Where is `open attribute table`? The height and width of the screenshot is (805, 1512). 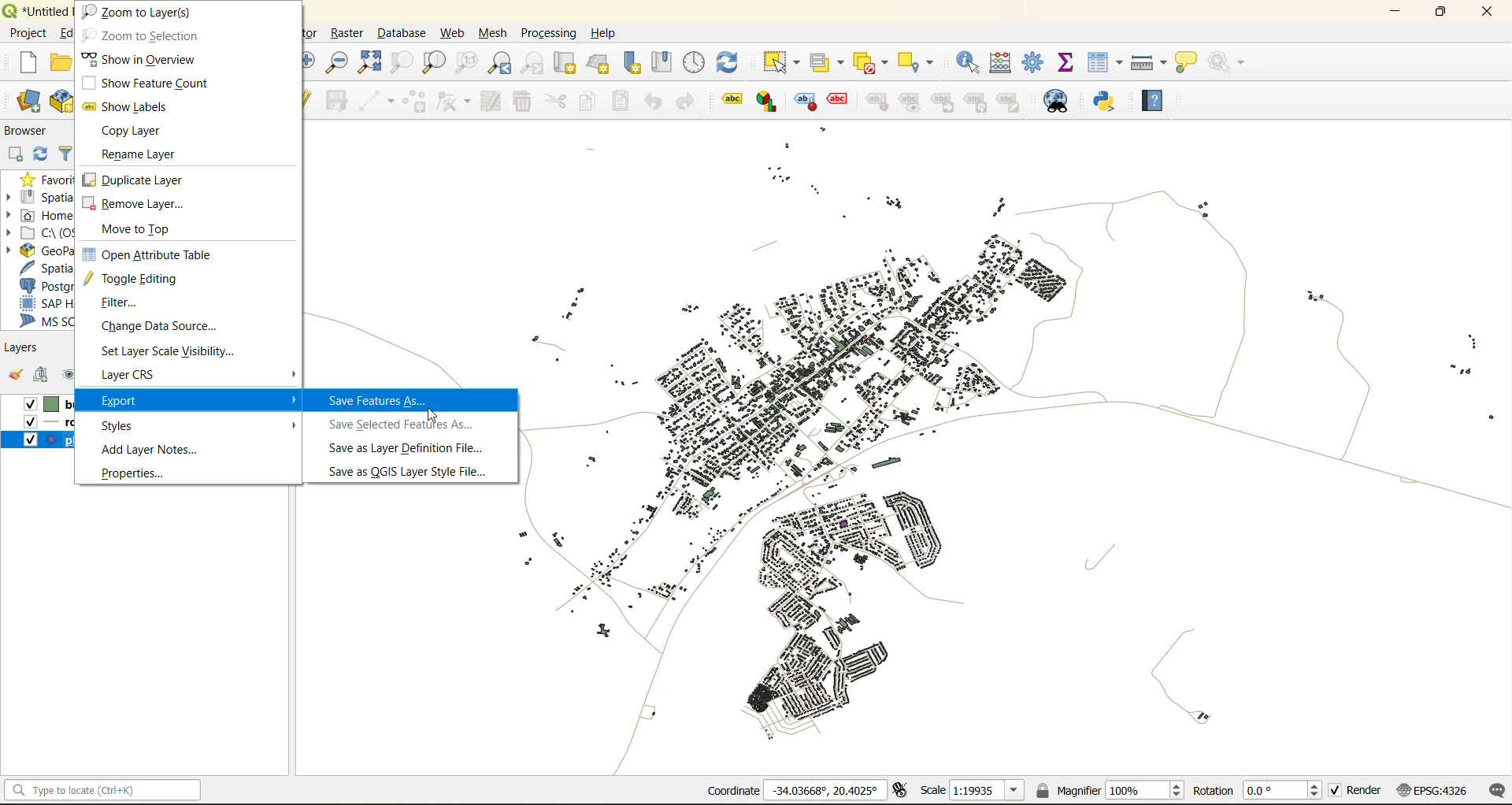
open attribute table is located at coordinates (146, 254).